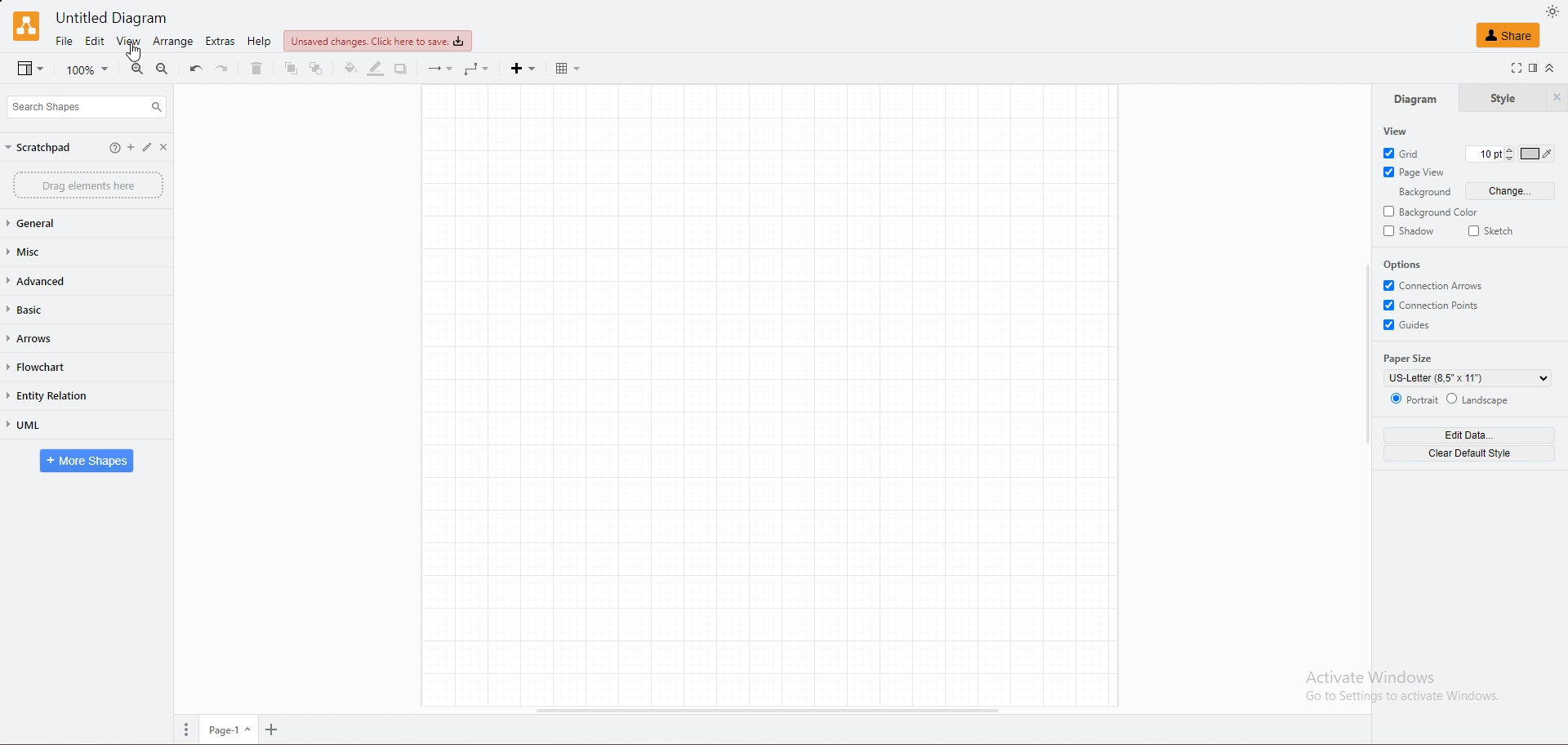 This screenshot has width=1568, height=745. I want to click on landscape, so click(1480, 398).